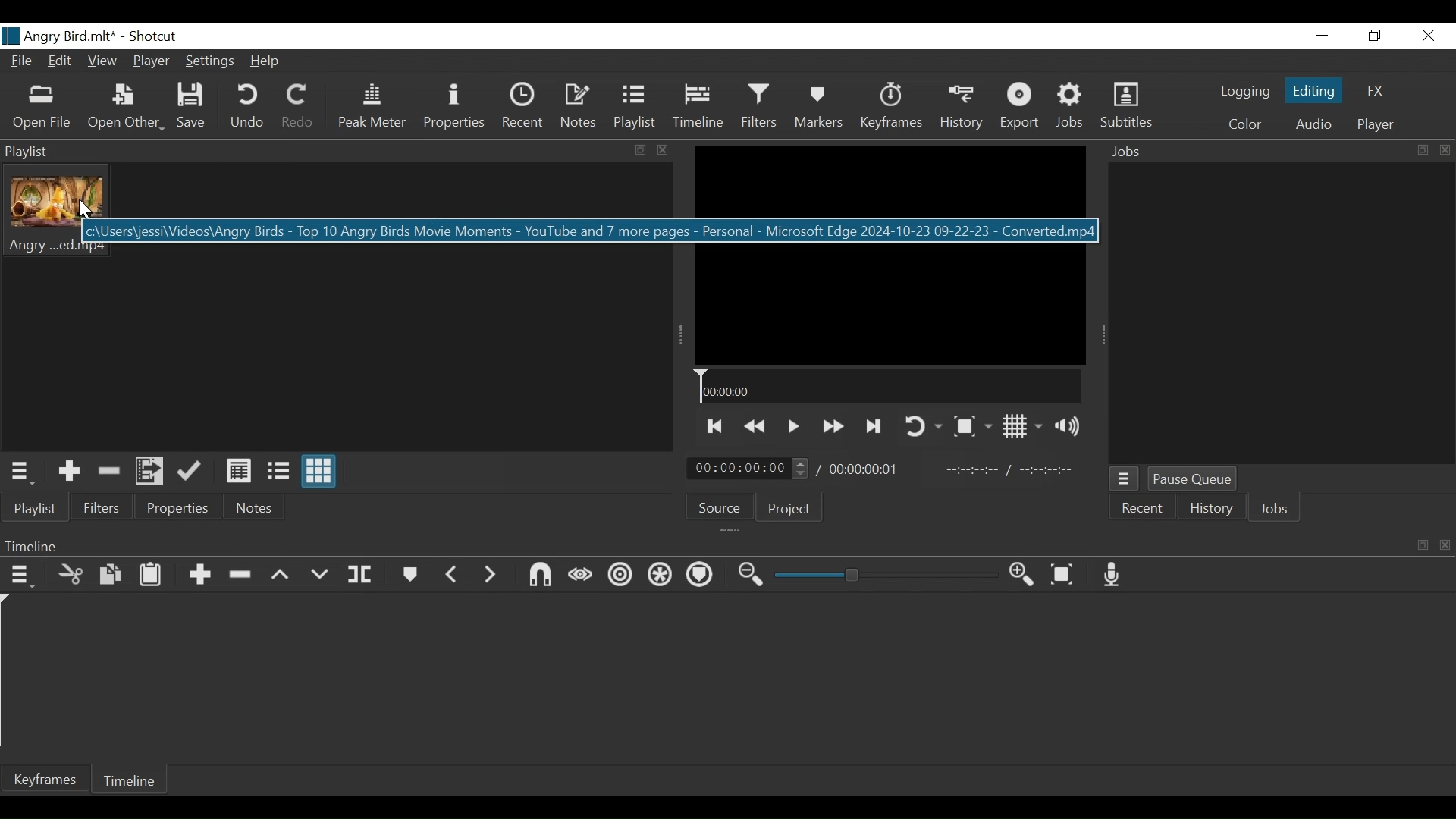 Image resolution: width=1456 pixels, height=819 pixels. I want to click on Skip to the next point, so click(712, 428).